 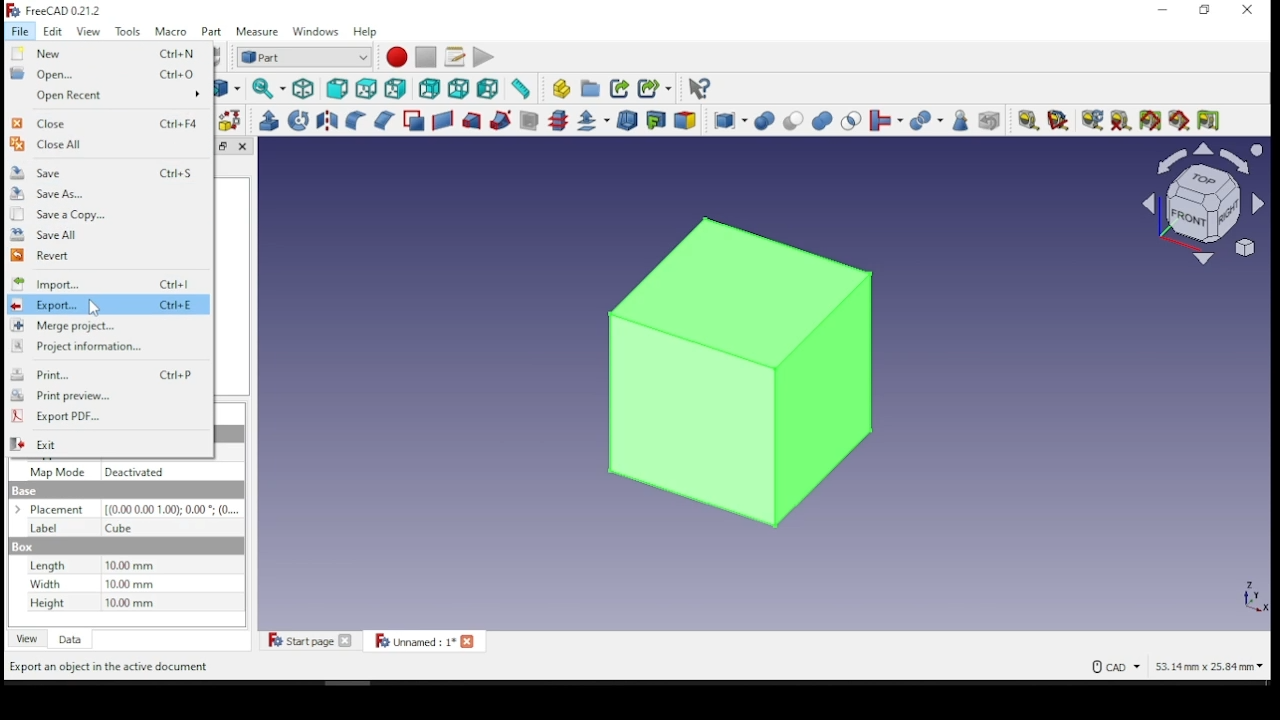 I want to click on macro recording, so click(x=397, y=57).